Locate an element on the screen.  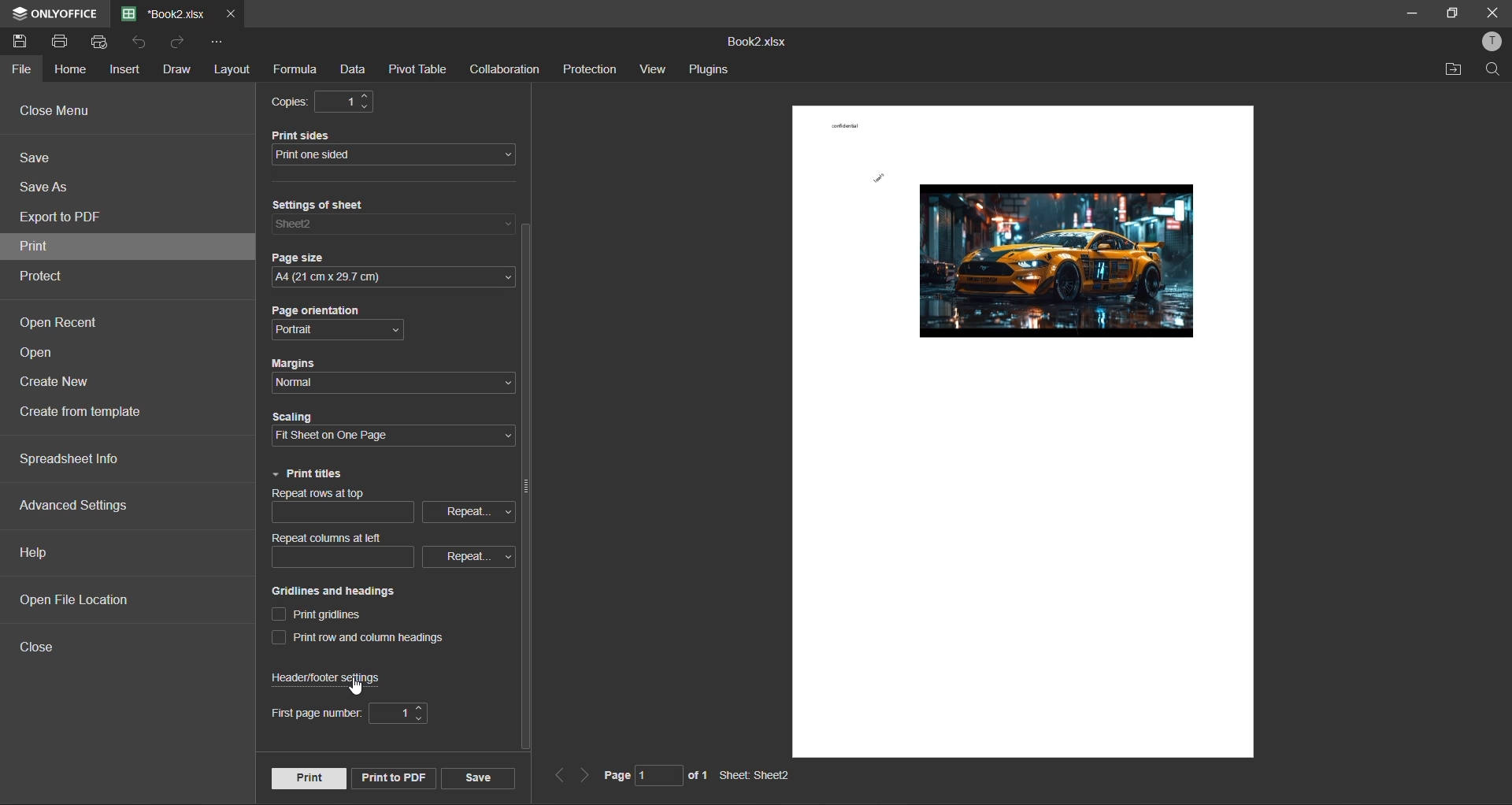
file is located at coordinates (20, 70).